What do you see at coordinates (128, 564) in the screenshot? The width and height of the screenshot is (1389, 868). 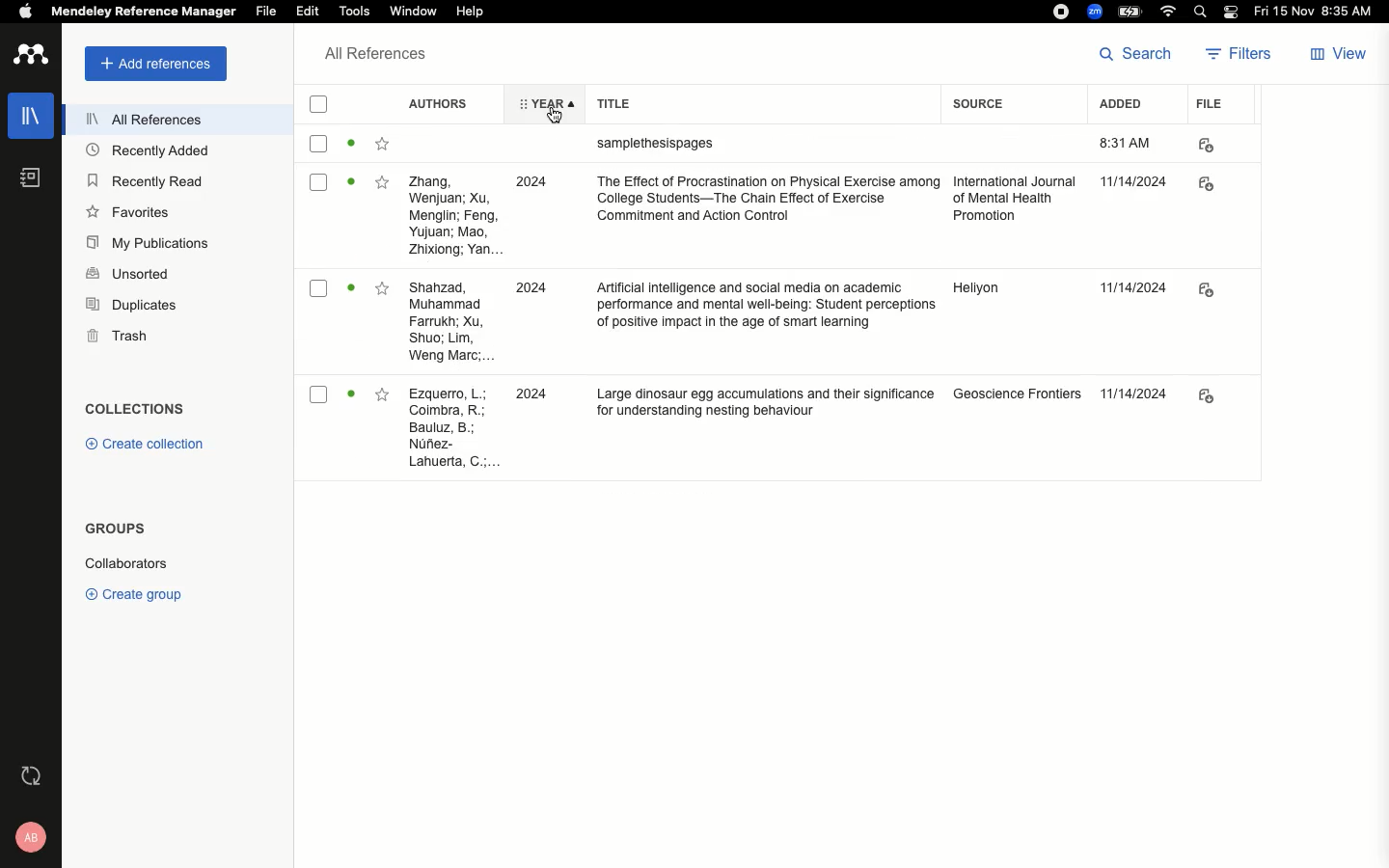 I see `Collaborators` at bounding box center [128, 564].